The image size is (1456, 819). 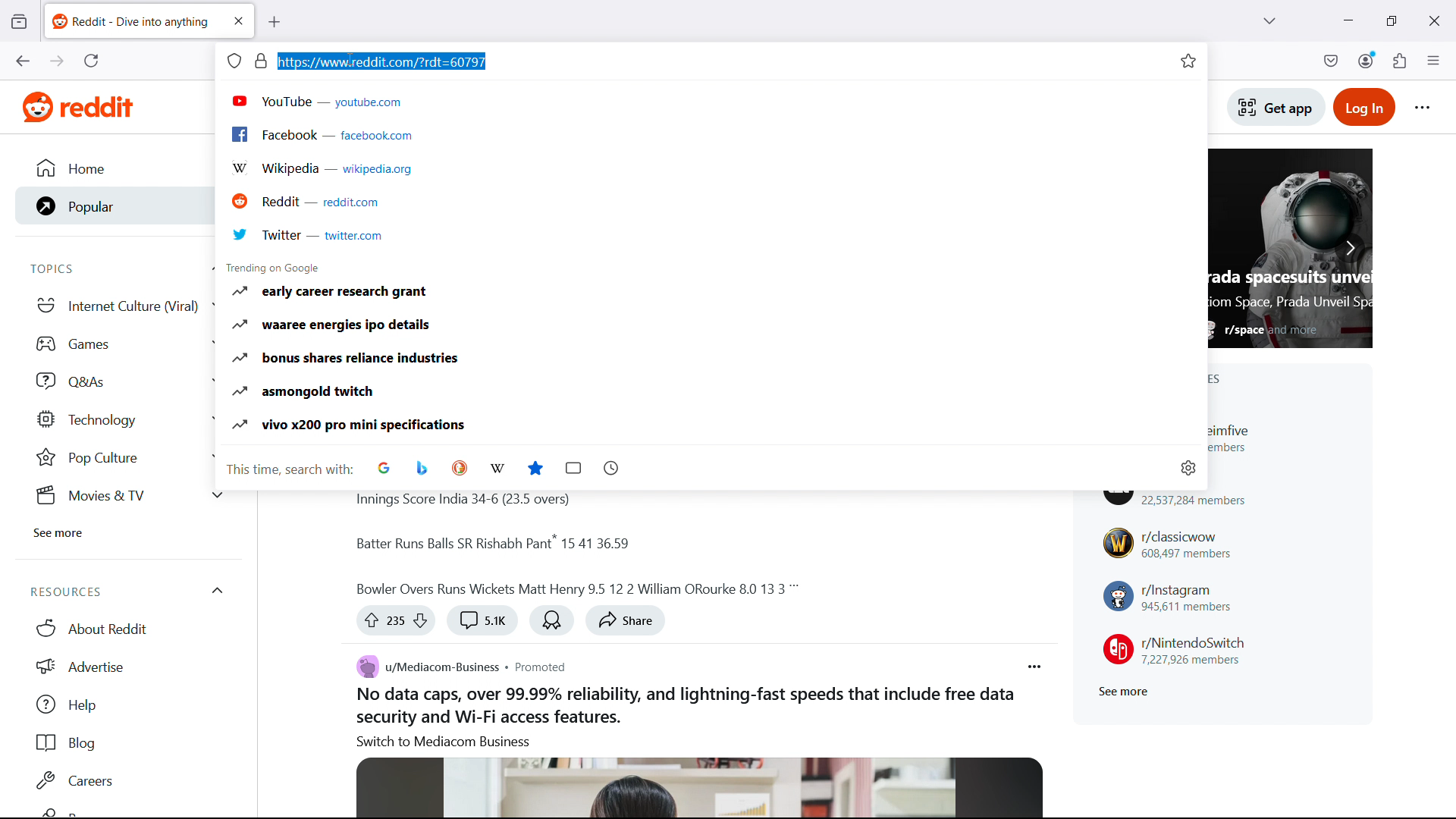 What do you see at coordinates (276, 268) in the screenshot?
I see `Trending on Google` at bounding box center [276, 268].